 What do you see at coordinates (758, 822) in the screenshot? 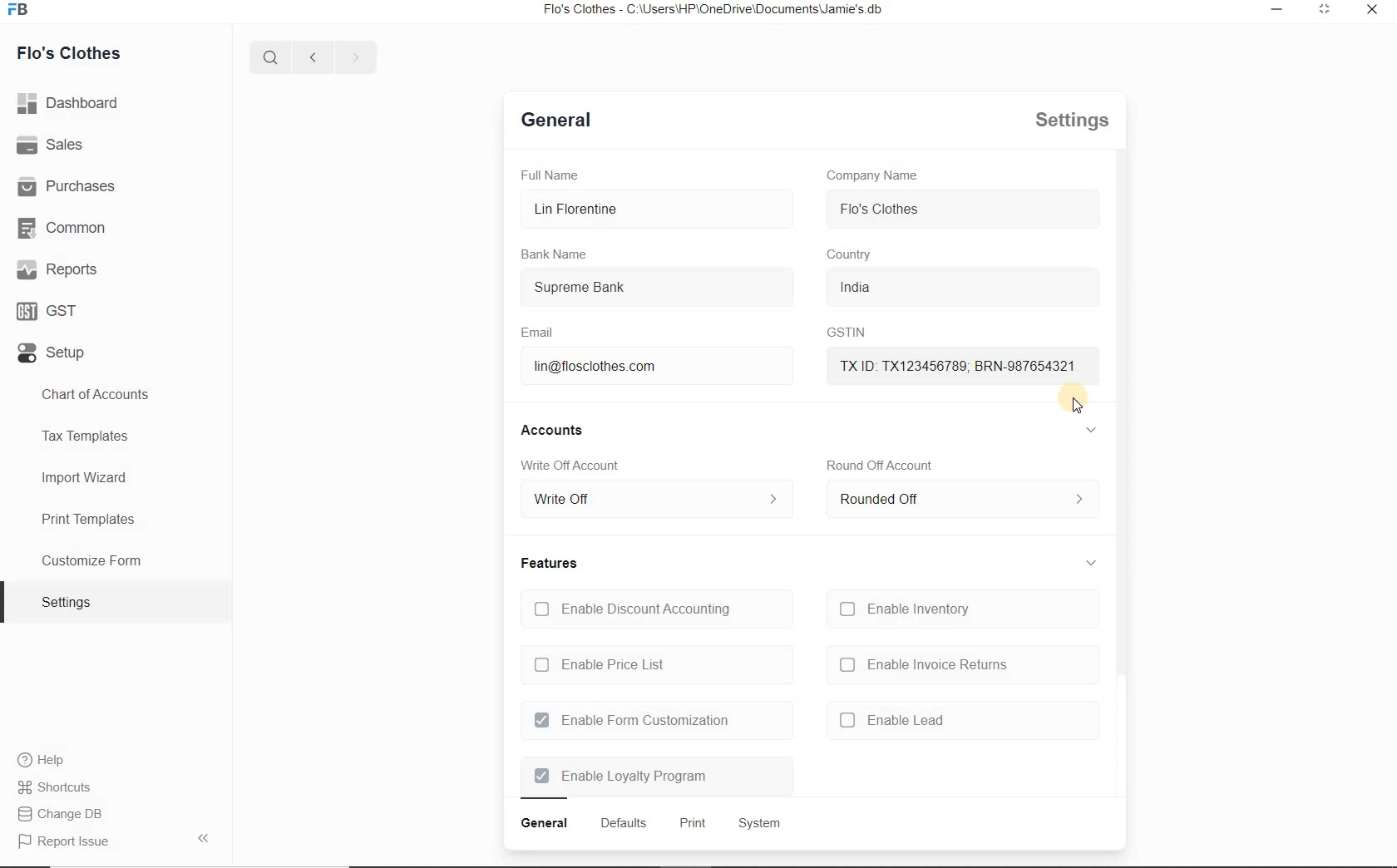
I see `system` at bounding box center [758, 822].